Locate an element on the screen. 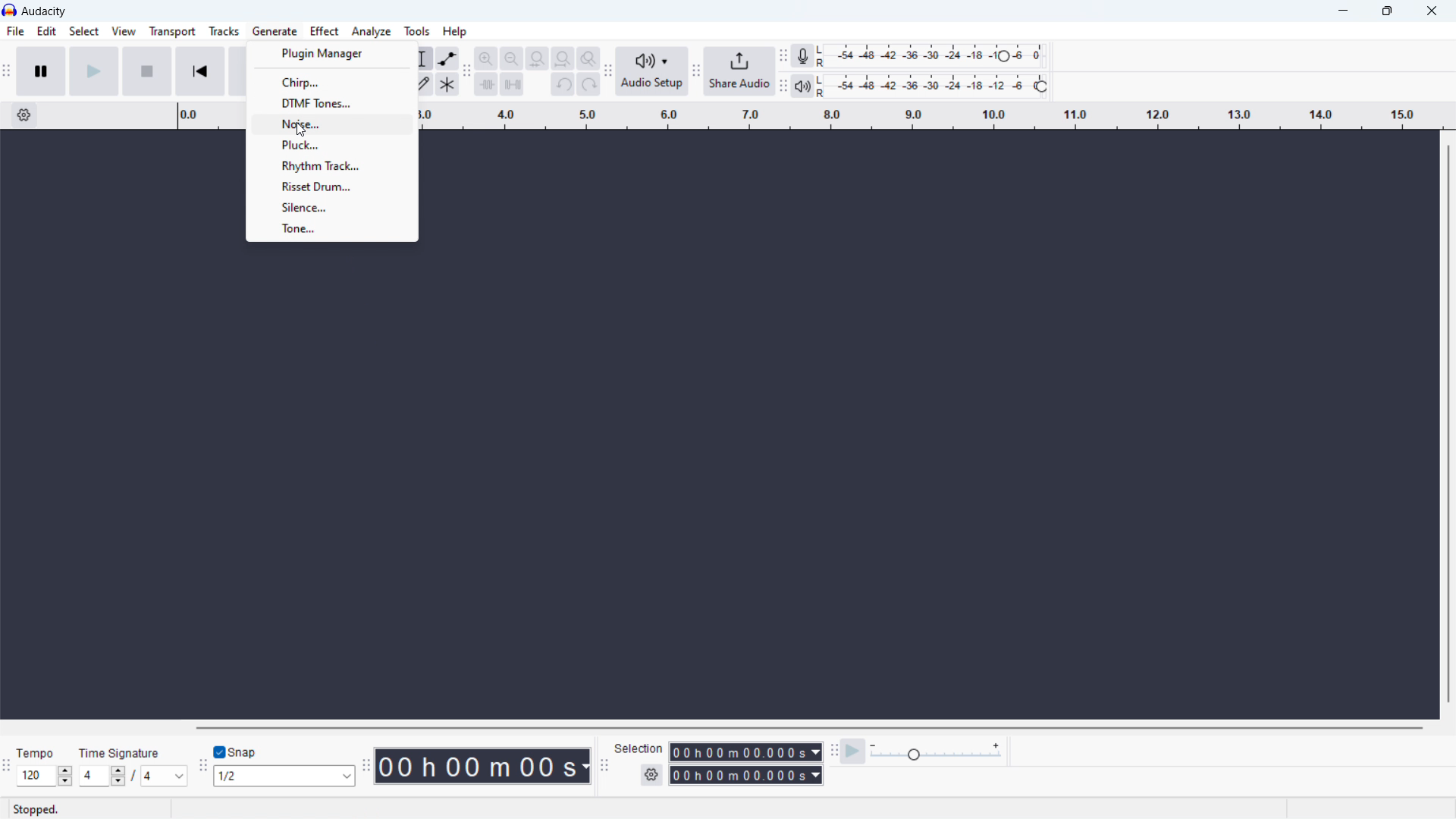 The width and height of the screenshot is (1456, 819). rhythm track is located at coordinates (331, 165).